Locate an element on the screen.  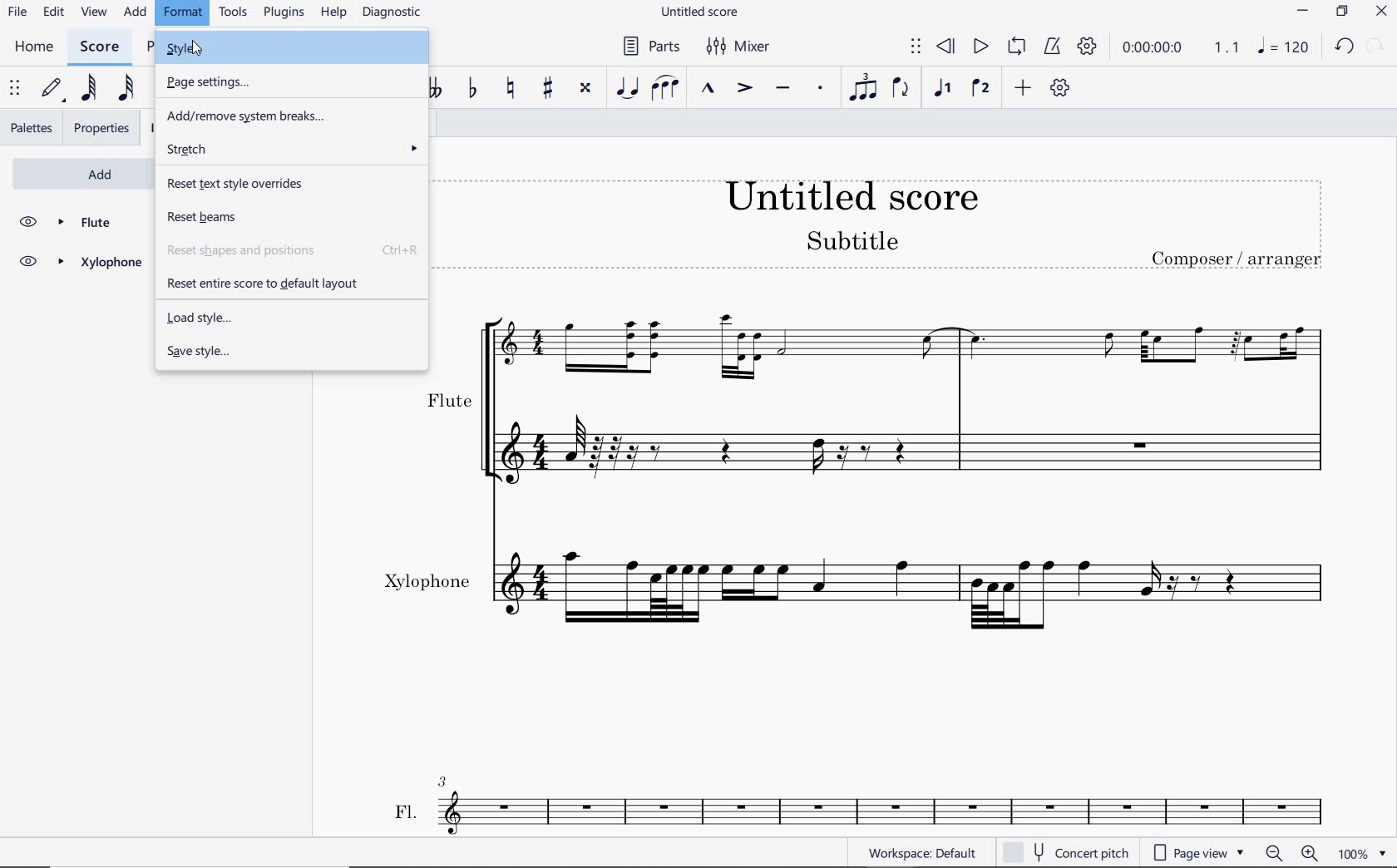
reset beams is located at coordinates (291, 218).